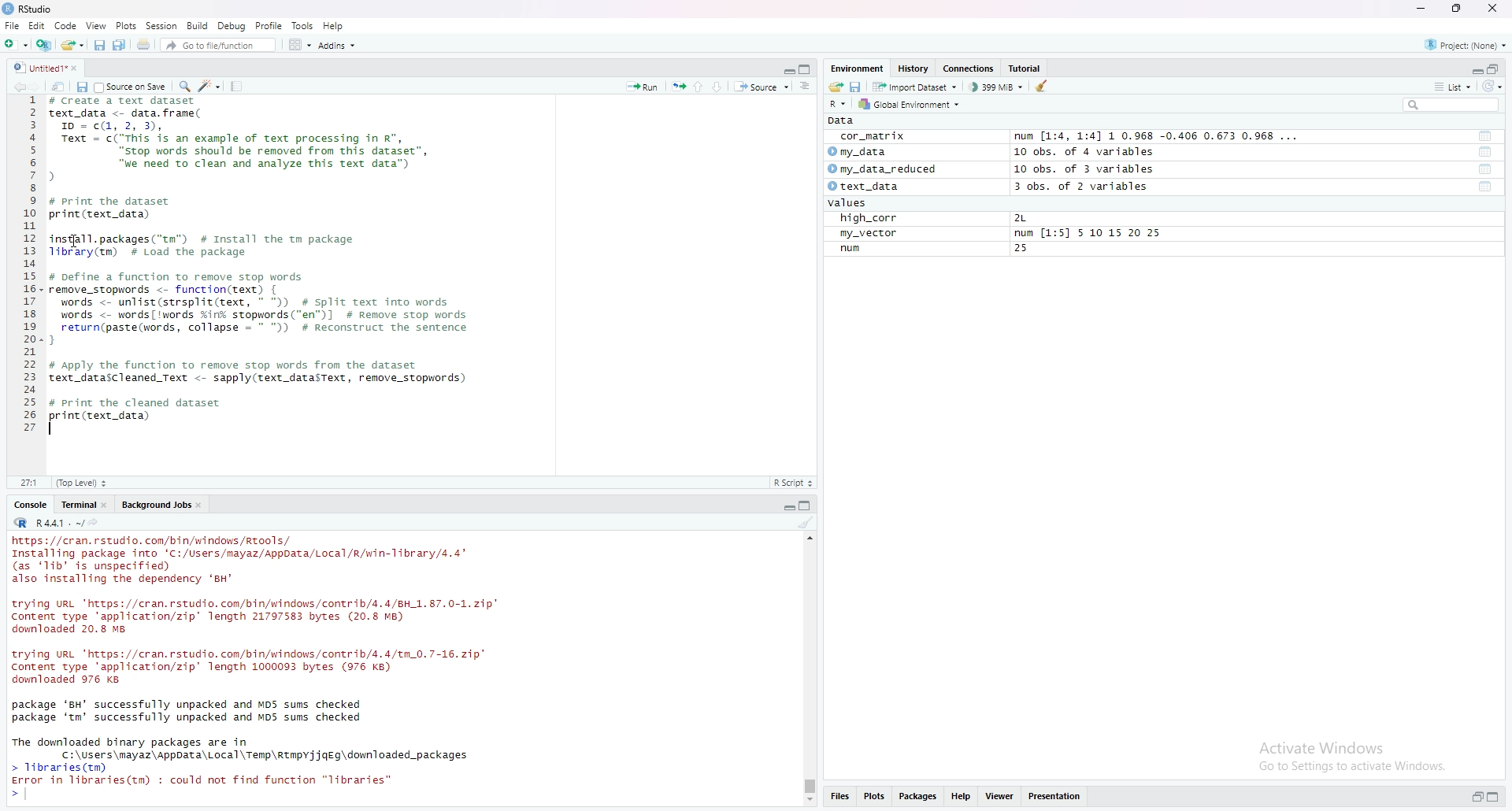 This screenshot has height=811, width=1512. Describe the element at coordinates (864, 218) in the screenshot. I see `high_corr` at that location.